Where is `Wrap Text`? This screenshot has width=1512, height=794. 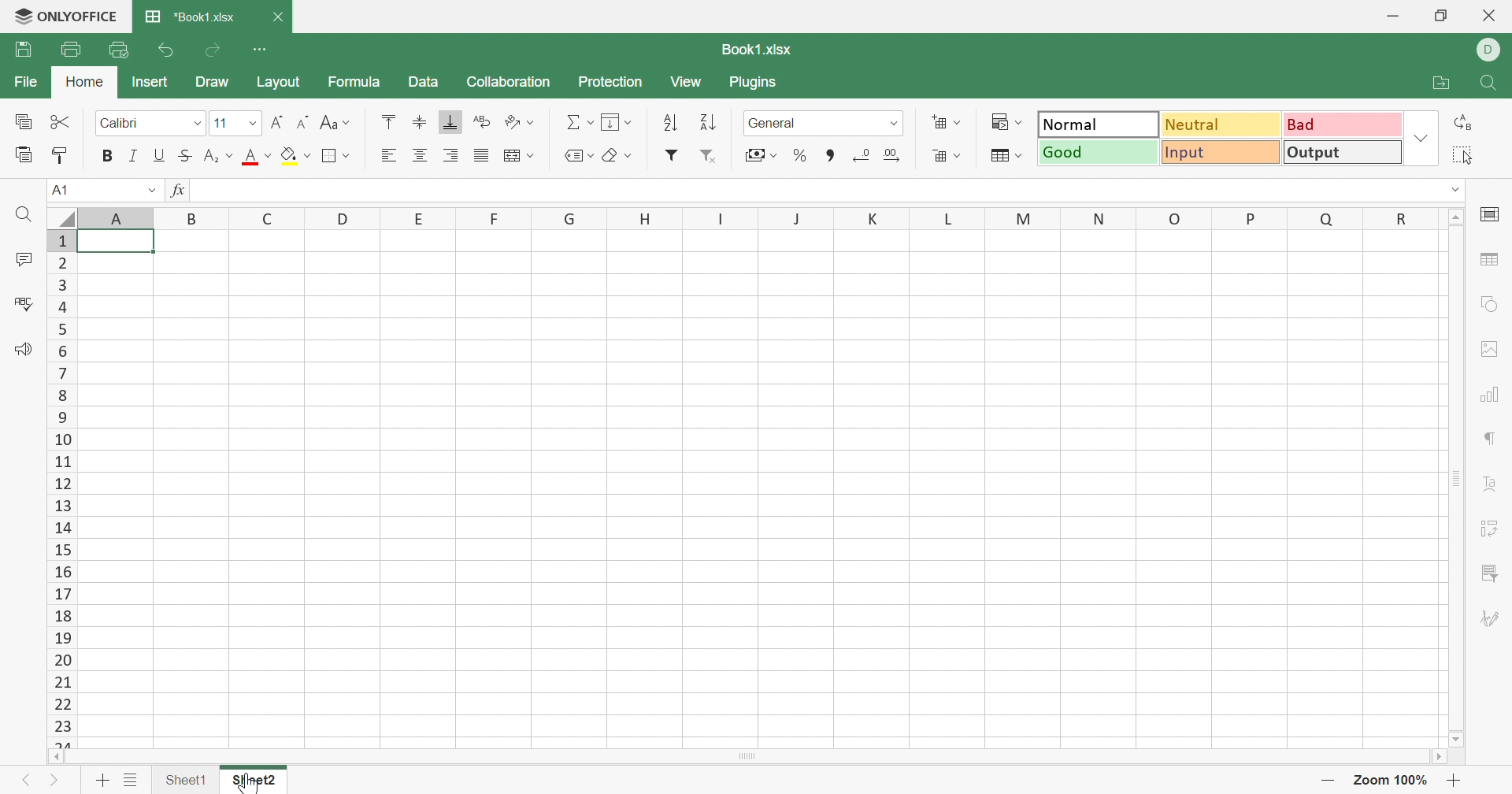 Wrap Text is located at coordinates (481, 121).